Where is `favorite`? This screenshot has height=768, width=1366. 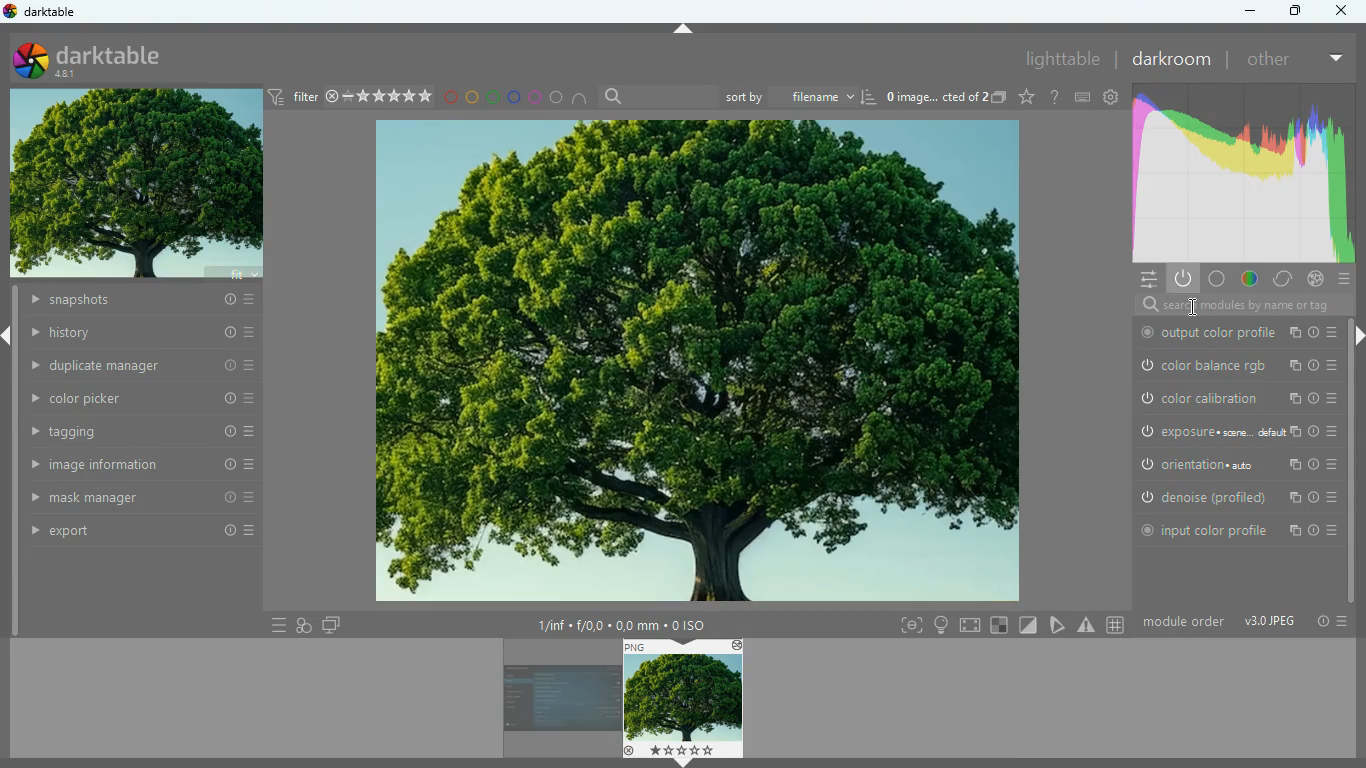 favorite is located at coordinates (1025, 99).